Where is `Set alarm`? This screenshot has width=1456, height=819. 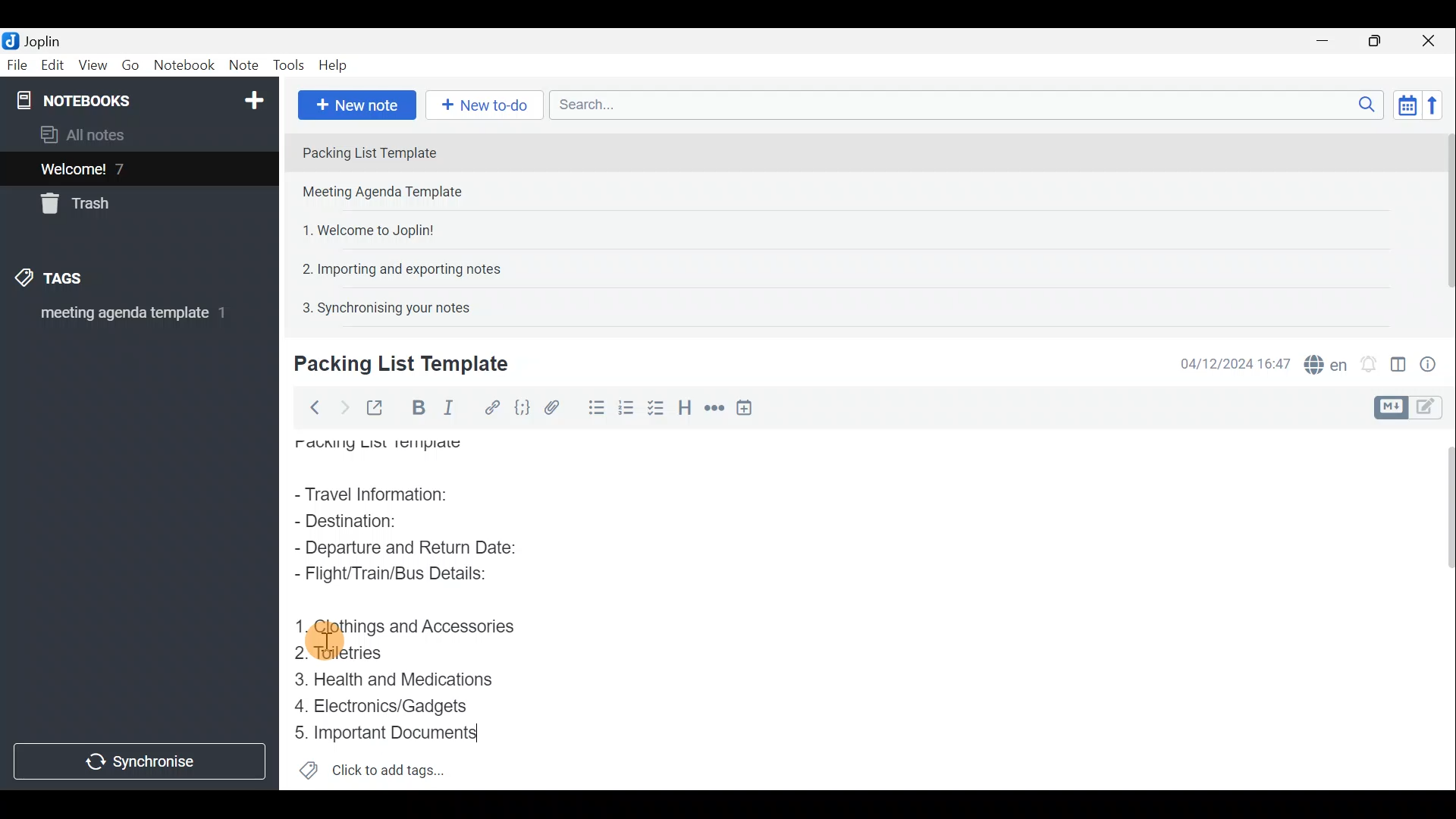 Set alarm is located at coordinates (1368, 360).